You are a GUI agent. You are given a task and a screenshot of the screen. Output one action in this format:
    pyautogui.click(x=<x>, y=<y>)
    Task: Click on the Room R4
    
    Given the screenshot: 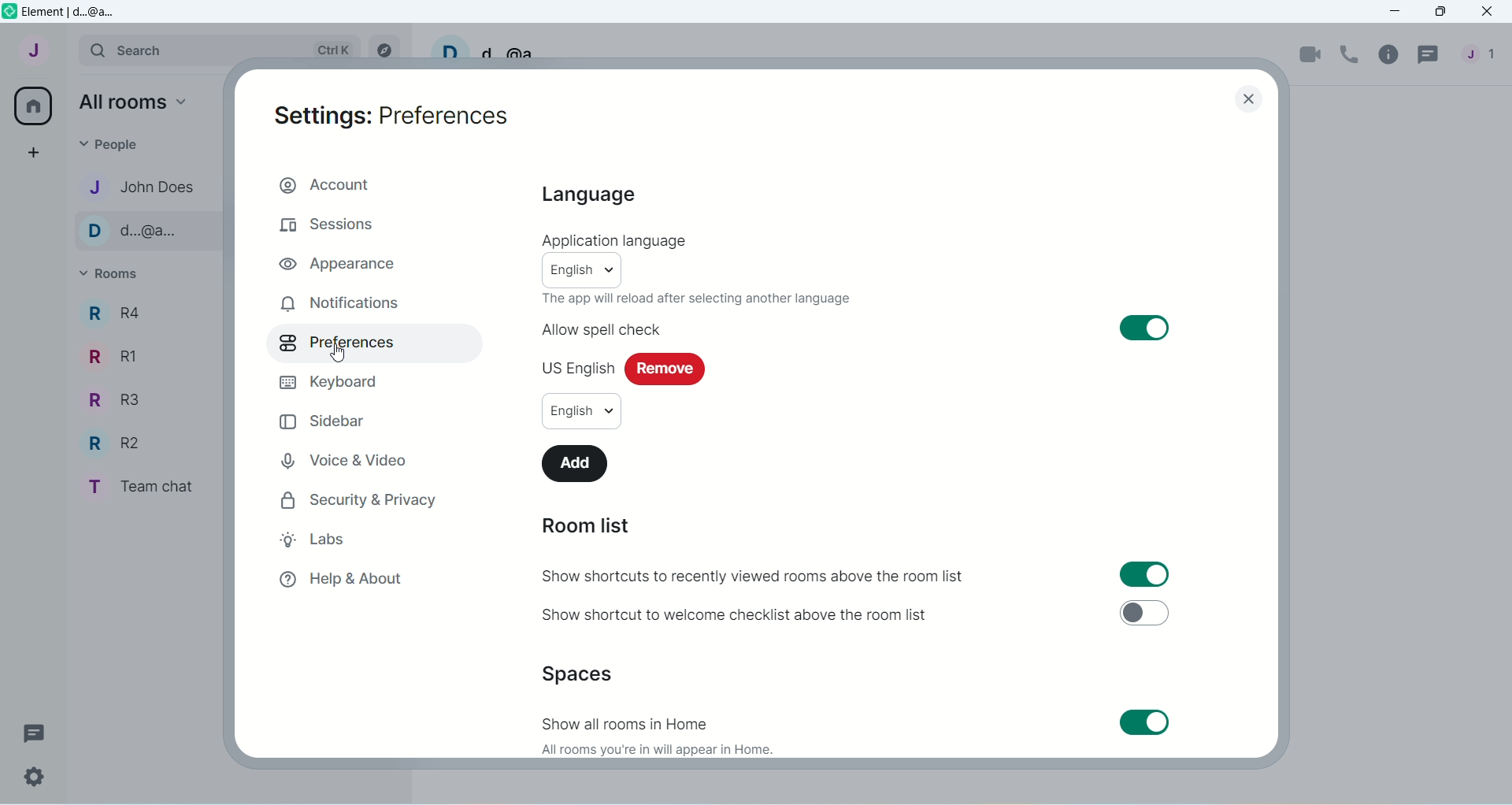 What is the action you would take?
    pyautogui.click(x=113, y=318)
    